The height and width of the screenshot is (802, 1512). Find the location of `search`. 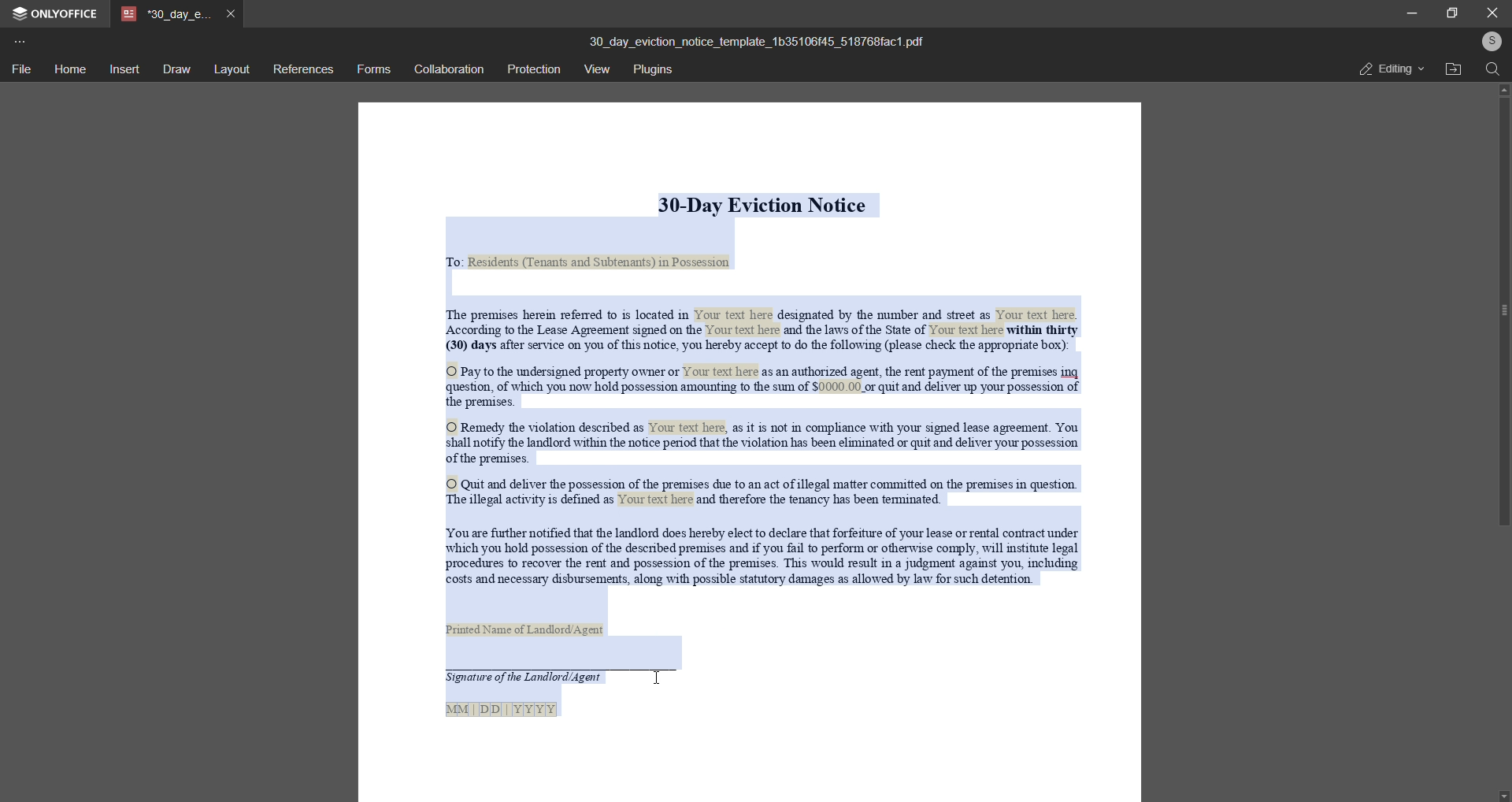

search is located at coordinates (1490, 70).